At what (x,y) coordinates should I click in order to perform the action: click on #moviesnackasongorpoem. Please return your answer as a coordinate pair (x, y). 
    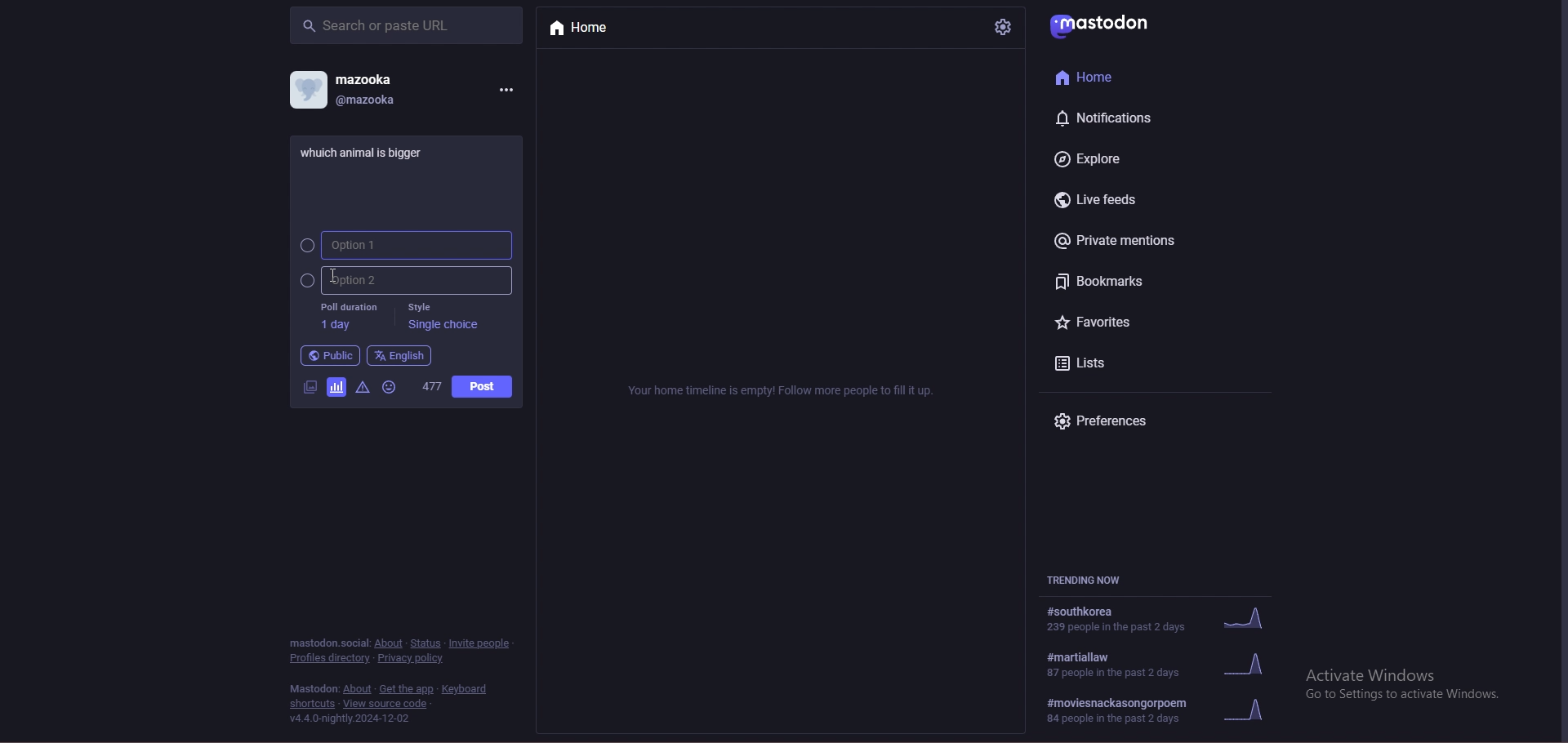
    Looking at the image, I should click on (1165, 711).